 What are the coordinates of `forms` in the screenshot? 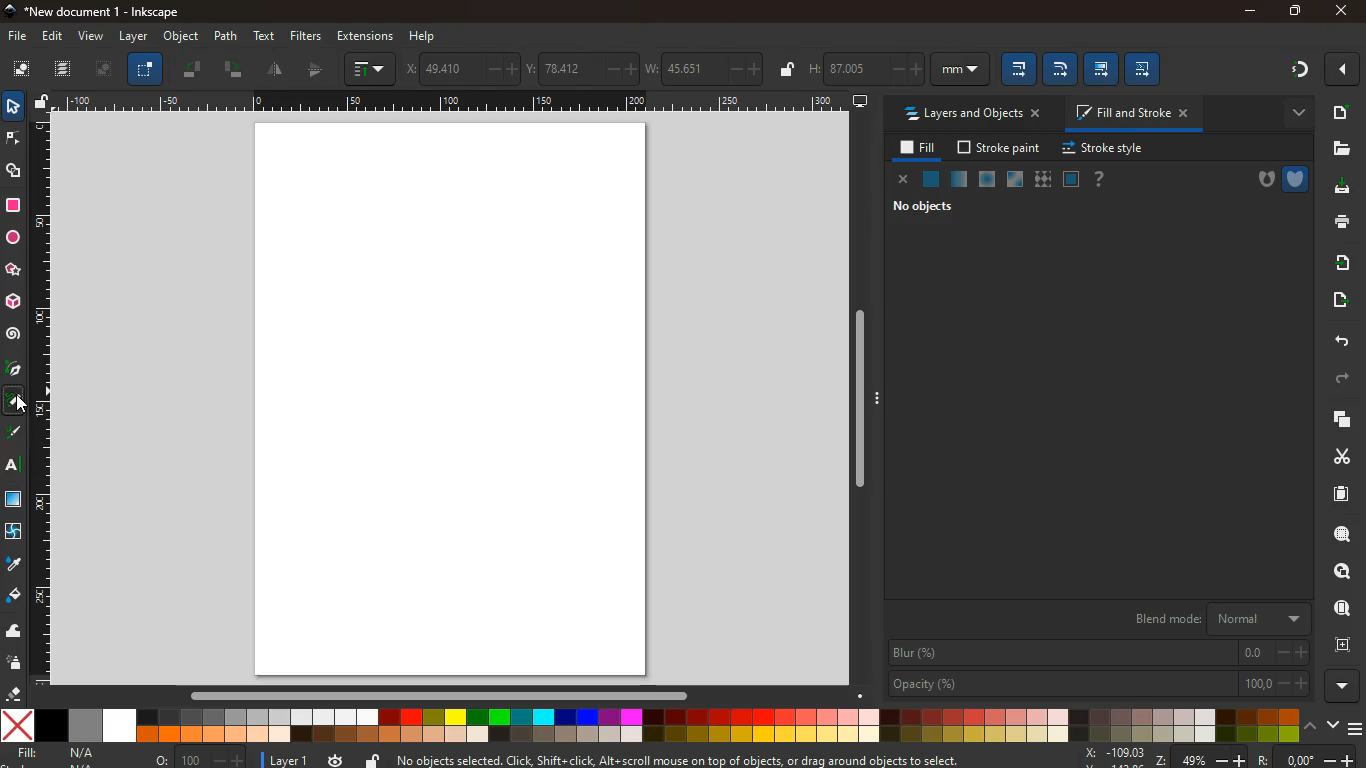 It's located at (147, 69).